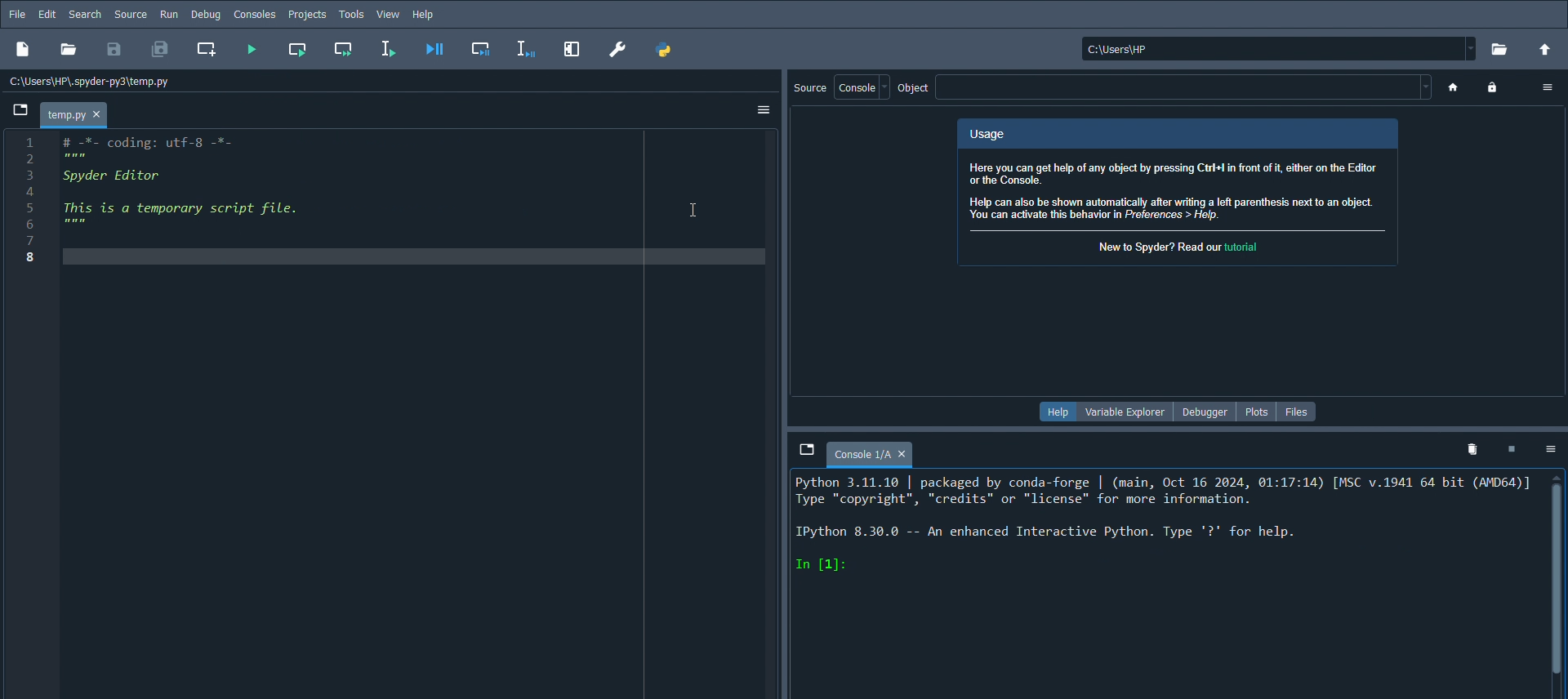 The height and width of the screenshot is (699, 1568). I want to click on File, so click(16, 13).